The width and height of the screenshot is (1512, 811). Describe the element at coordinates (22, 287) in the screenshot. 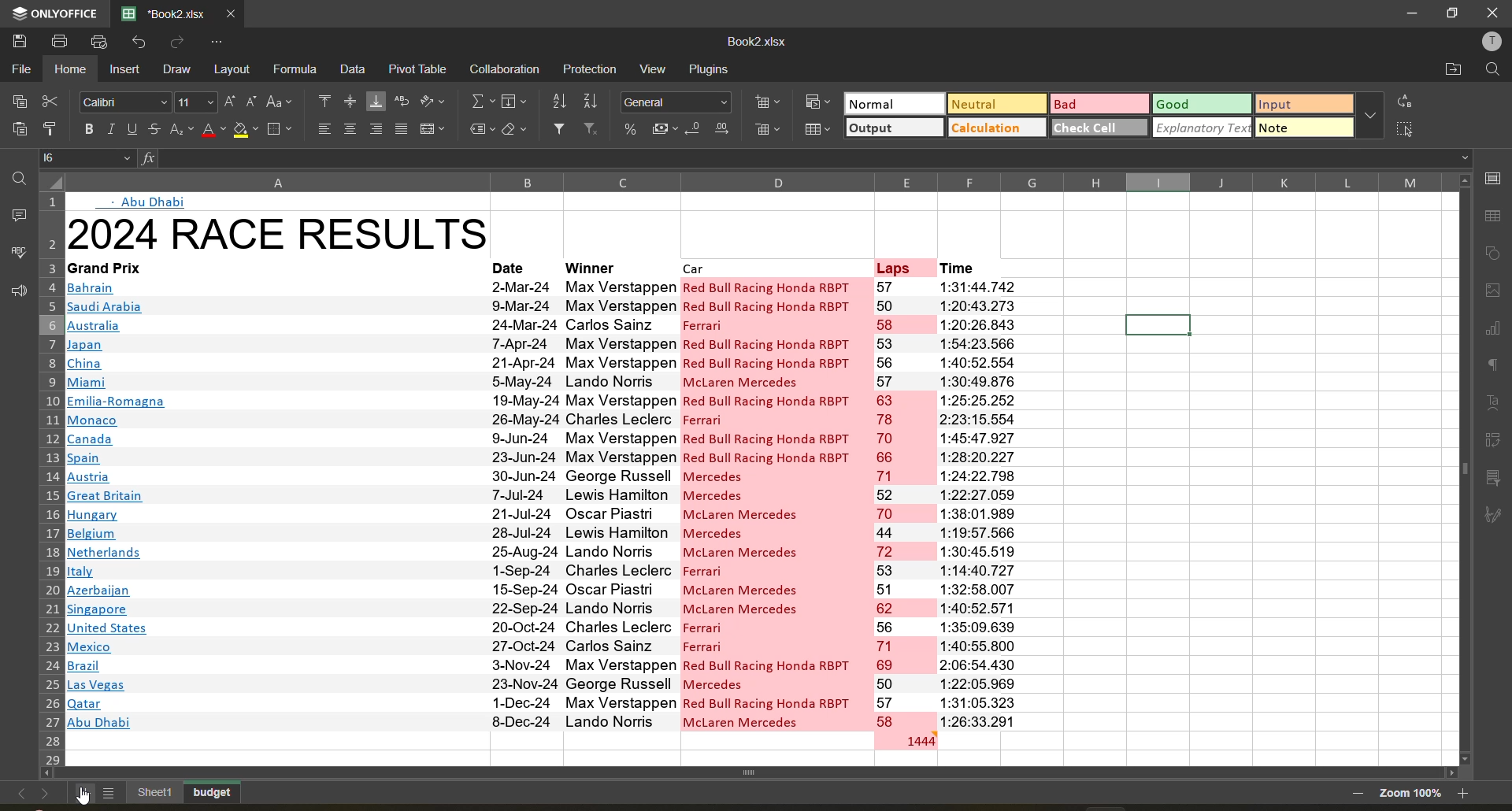

I see `feedback` at that location.